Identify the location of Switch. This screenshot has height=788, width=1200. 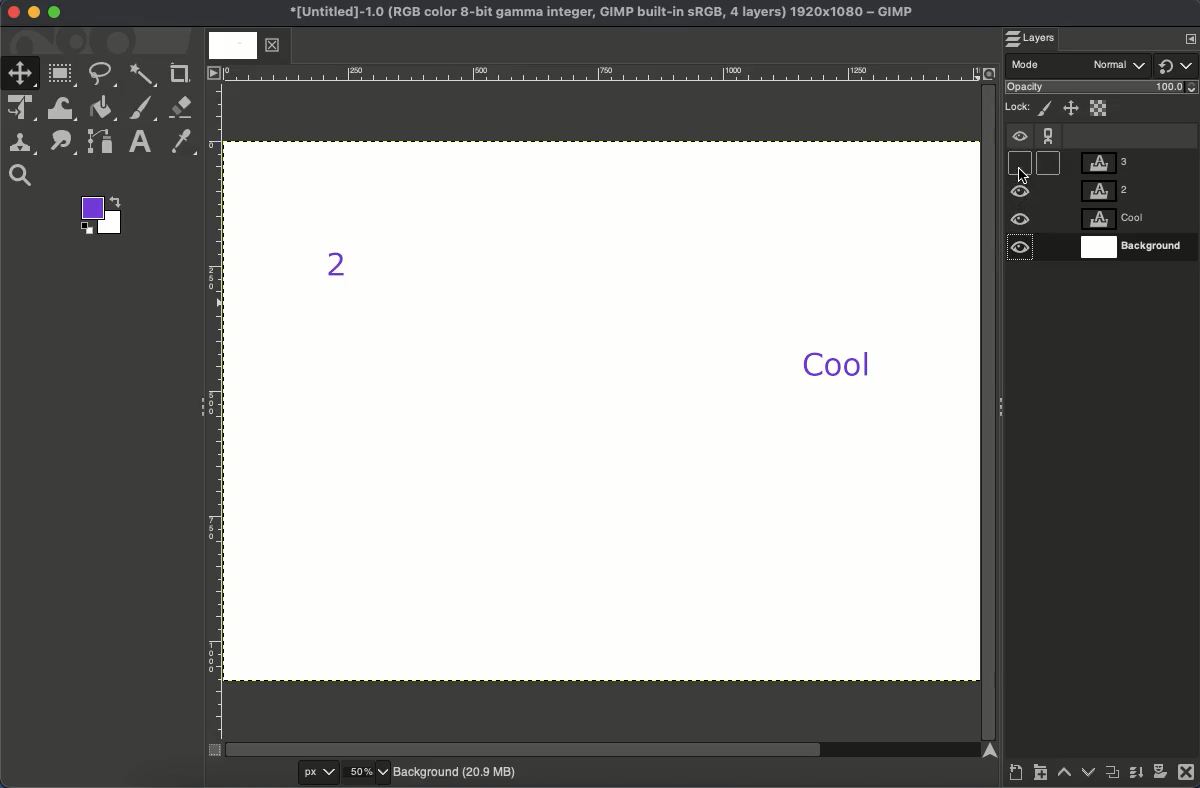
(1177, 65).